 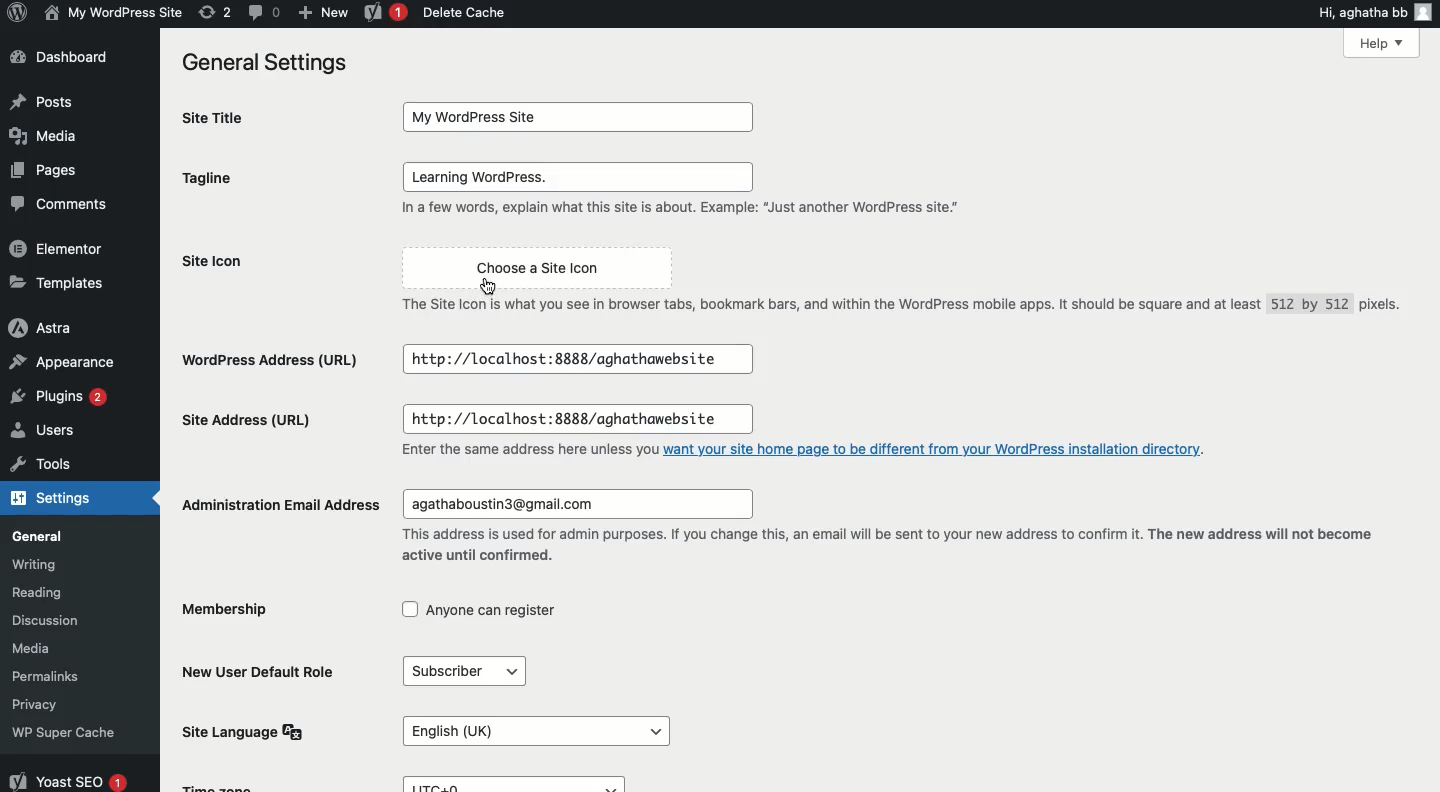 I want to click on Timezone, so click(x=229, y=784).